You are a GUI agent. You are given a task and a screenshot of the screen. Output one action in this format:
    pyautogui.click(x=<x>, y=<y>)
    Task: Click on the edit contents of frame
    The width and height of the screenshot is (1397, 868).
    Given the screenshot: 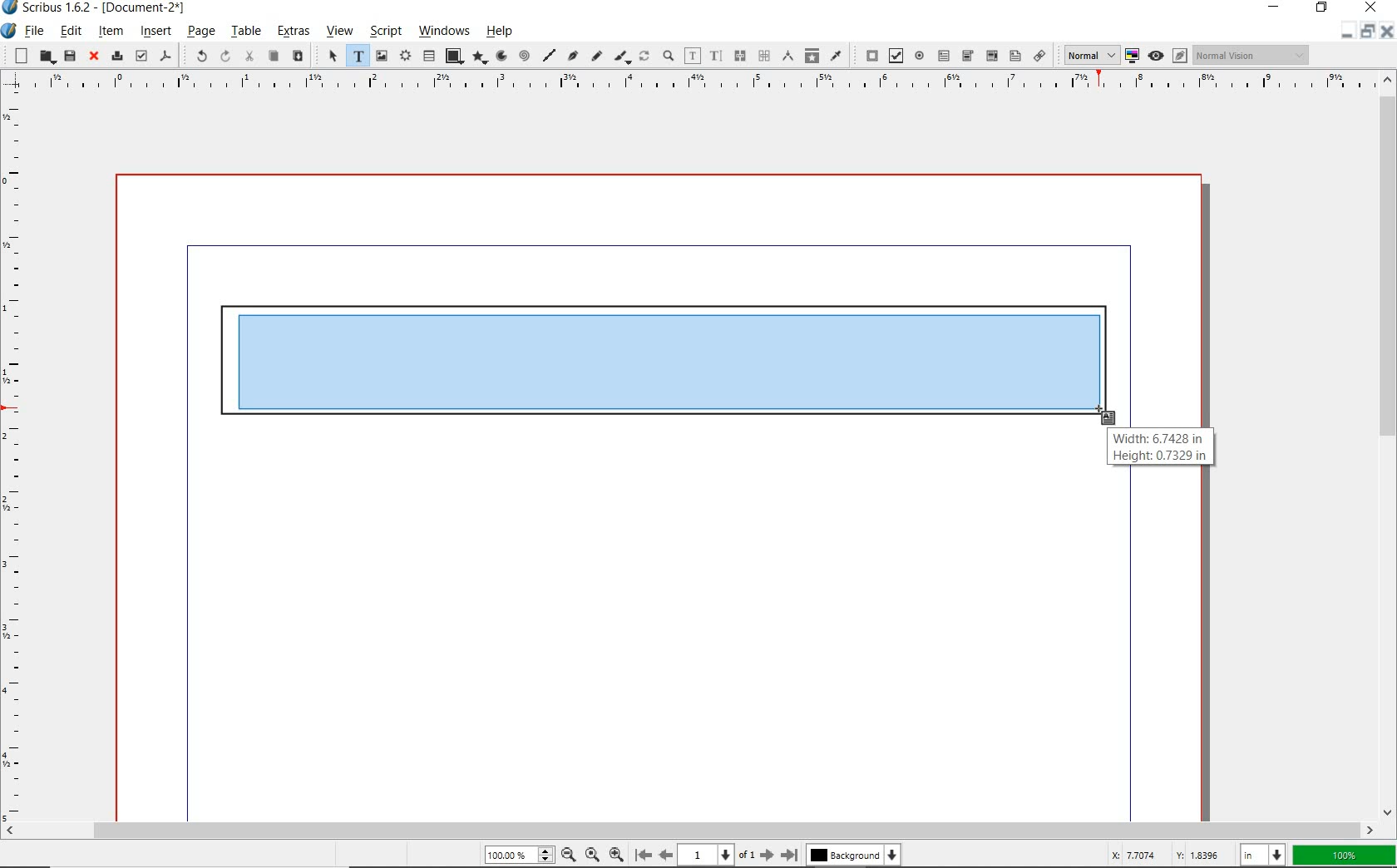 What is the action you would take?
    pyautogui.click(x=692, y=56)
    